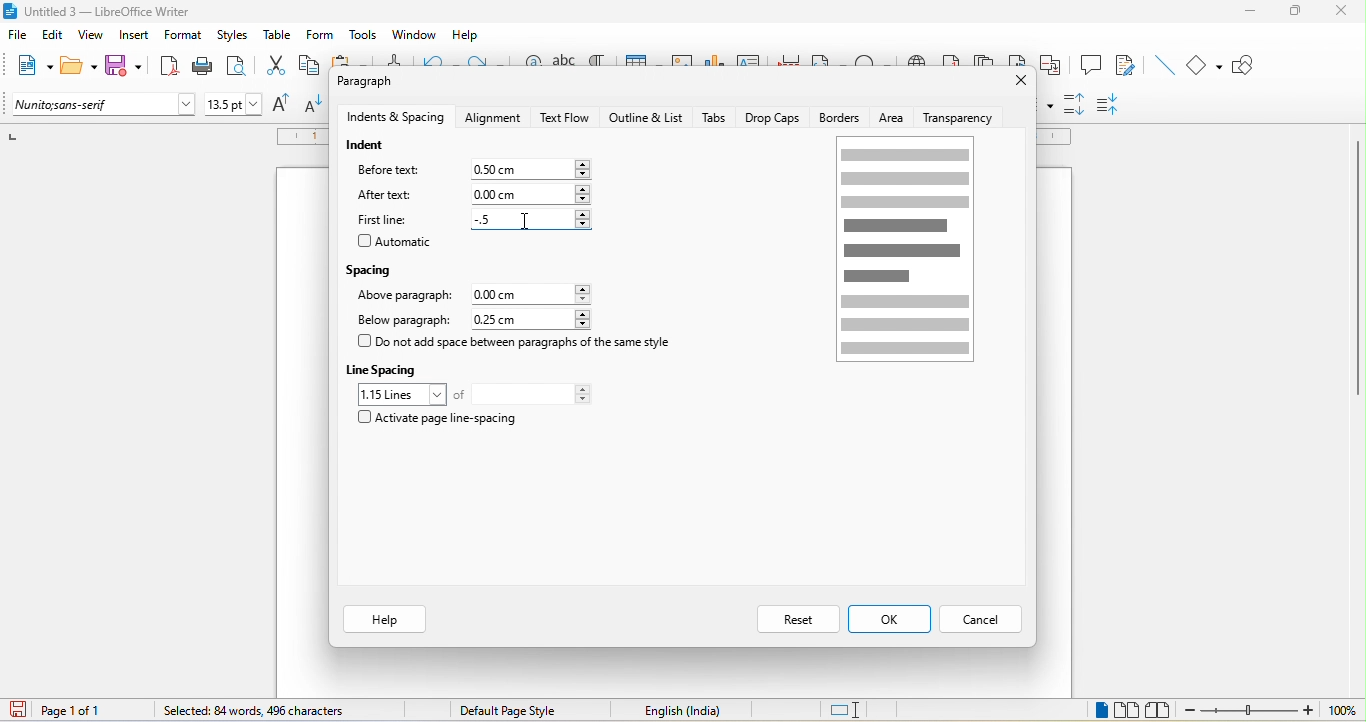 Image resolution: width=1366 pixels, height=722 pixels. Describe the element at coordinates (644, 116) in the screenshot. I see `outline and list` at that location.